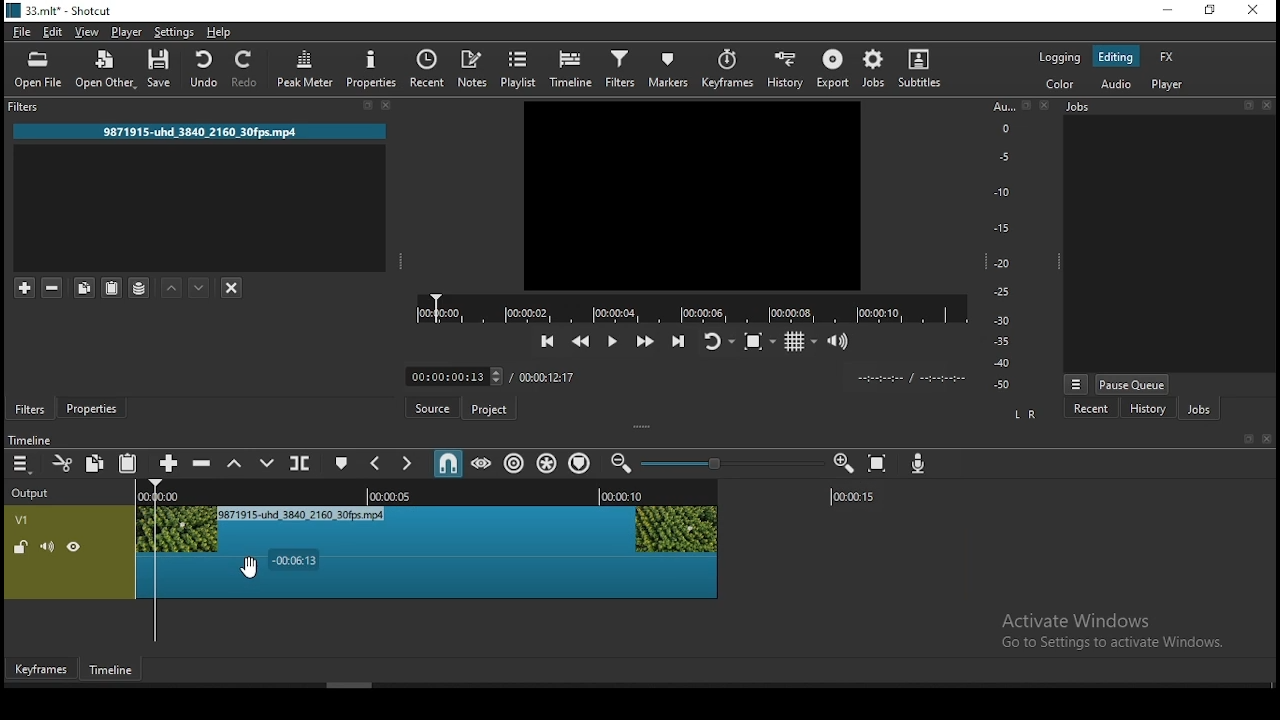  What do you see at coordinates (247, 72) in the screenshot?
I see `redo` at bounding box center [247, 72].